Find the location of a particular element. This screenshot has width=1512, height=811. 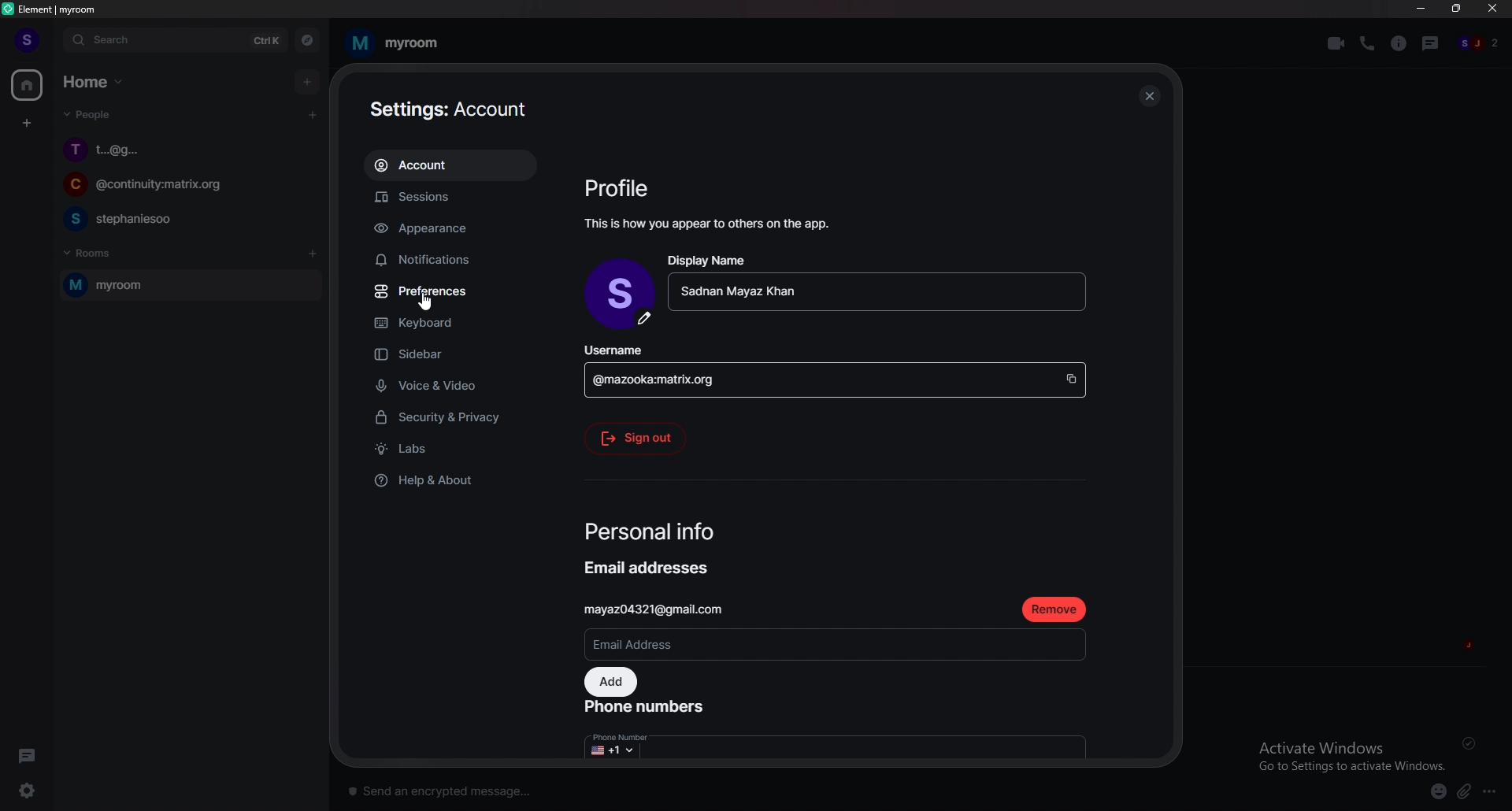

email address input is located at coordinates (832, 643).